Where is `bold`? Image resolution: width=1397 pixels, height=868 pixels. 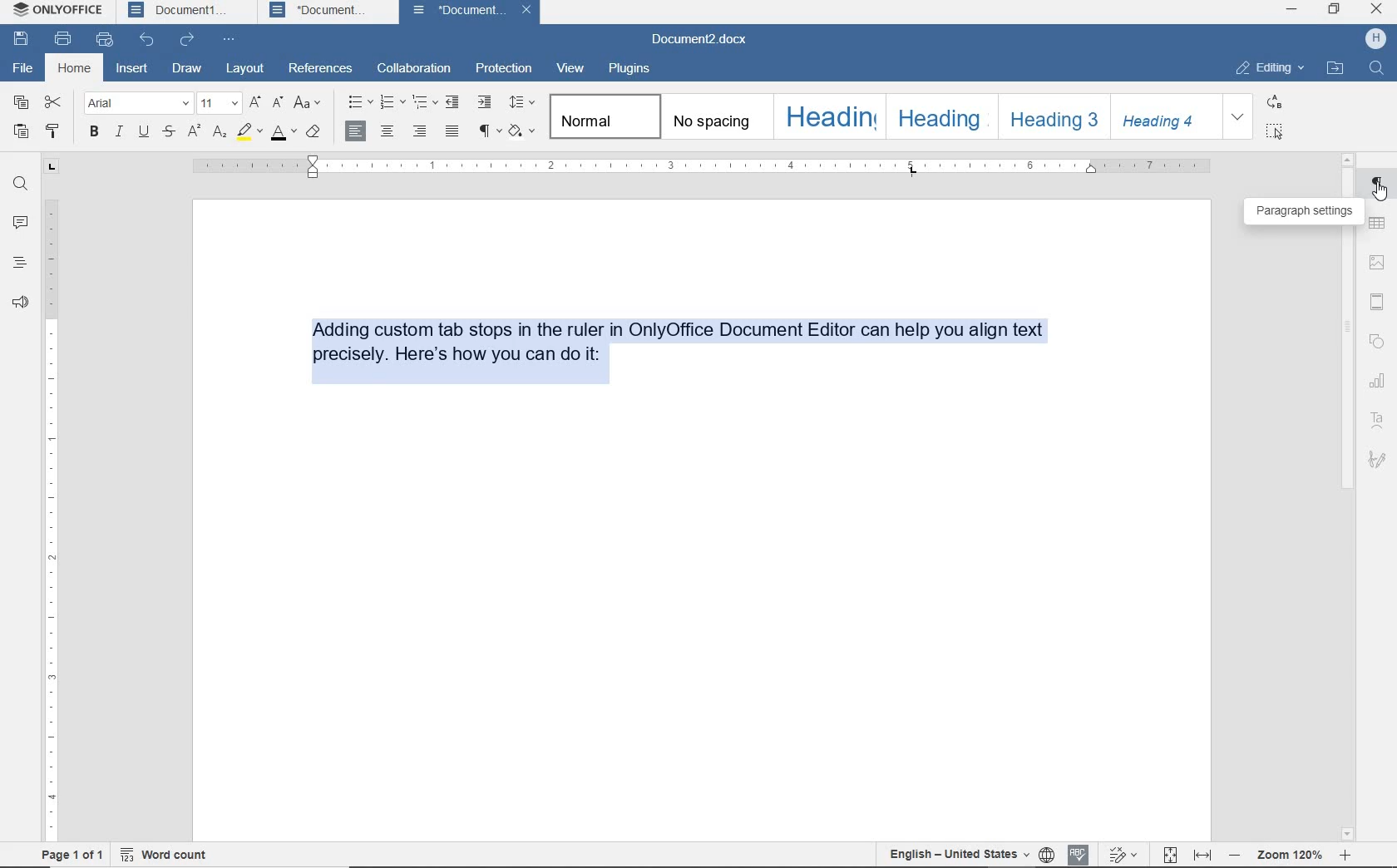 bold is located at coordinates (95, 133).